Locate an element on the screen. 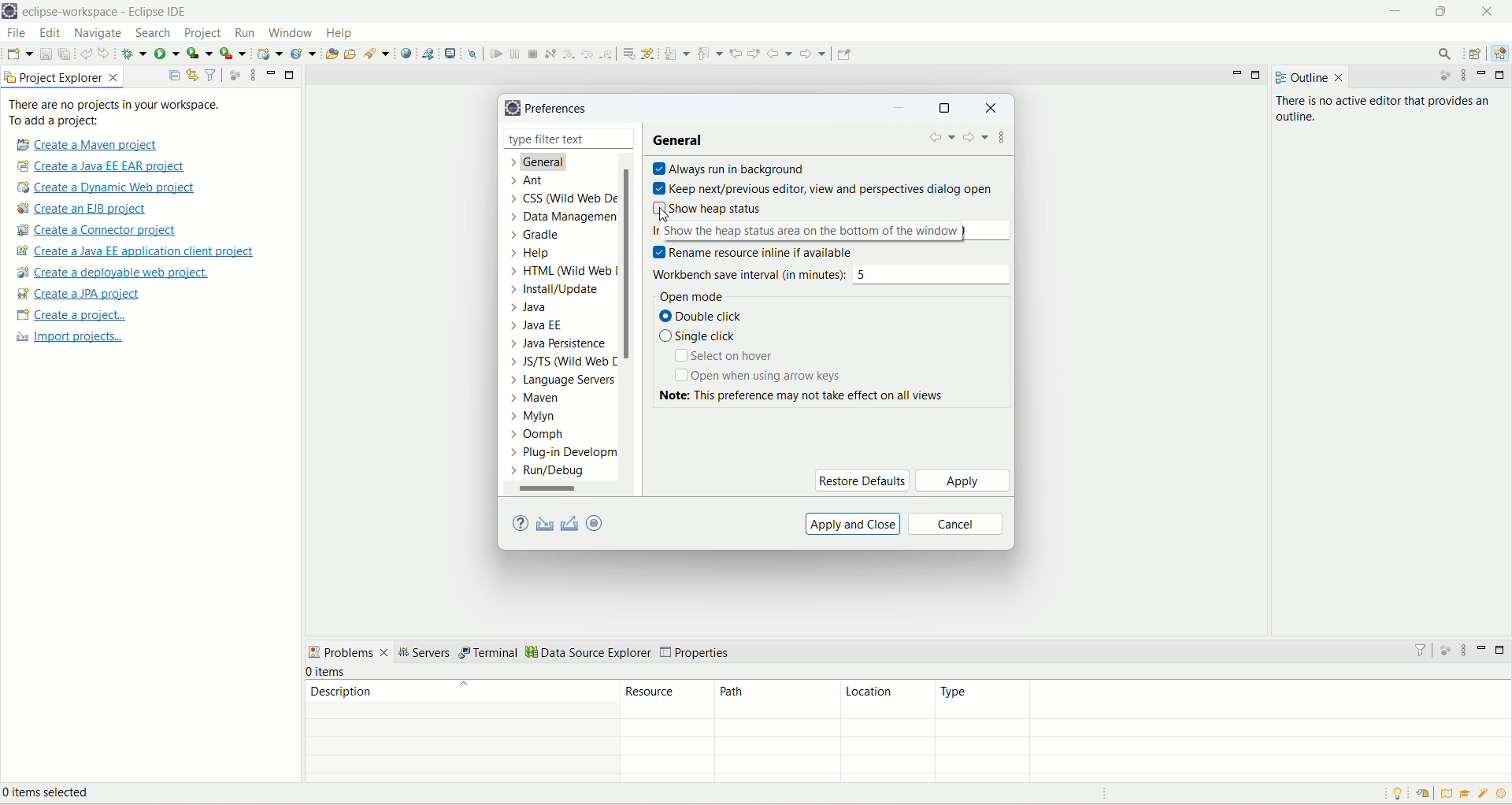  import projects is located at coordinates (67, 339).